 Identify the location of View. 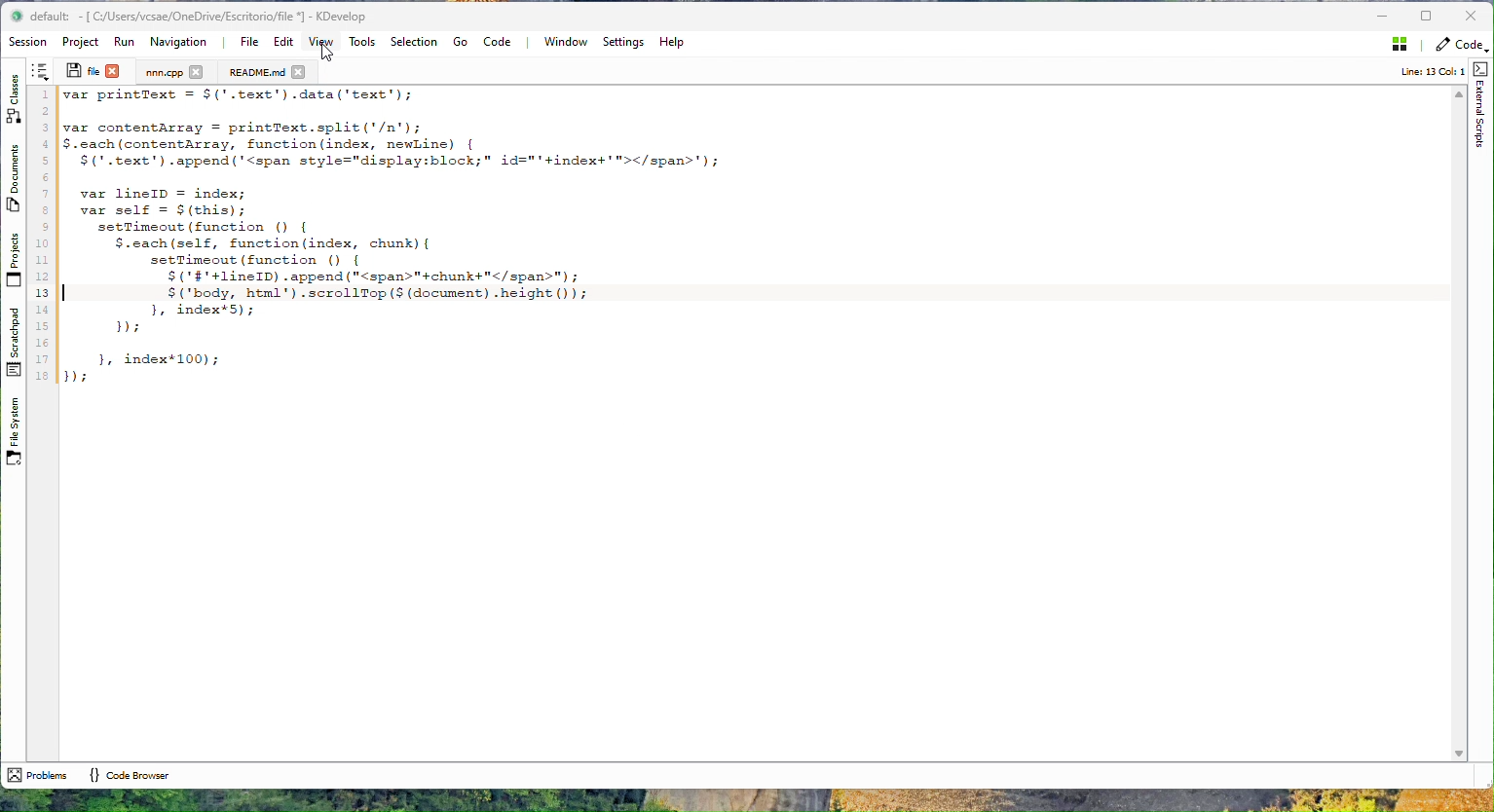
(320, 41).